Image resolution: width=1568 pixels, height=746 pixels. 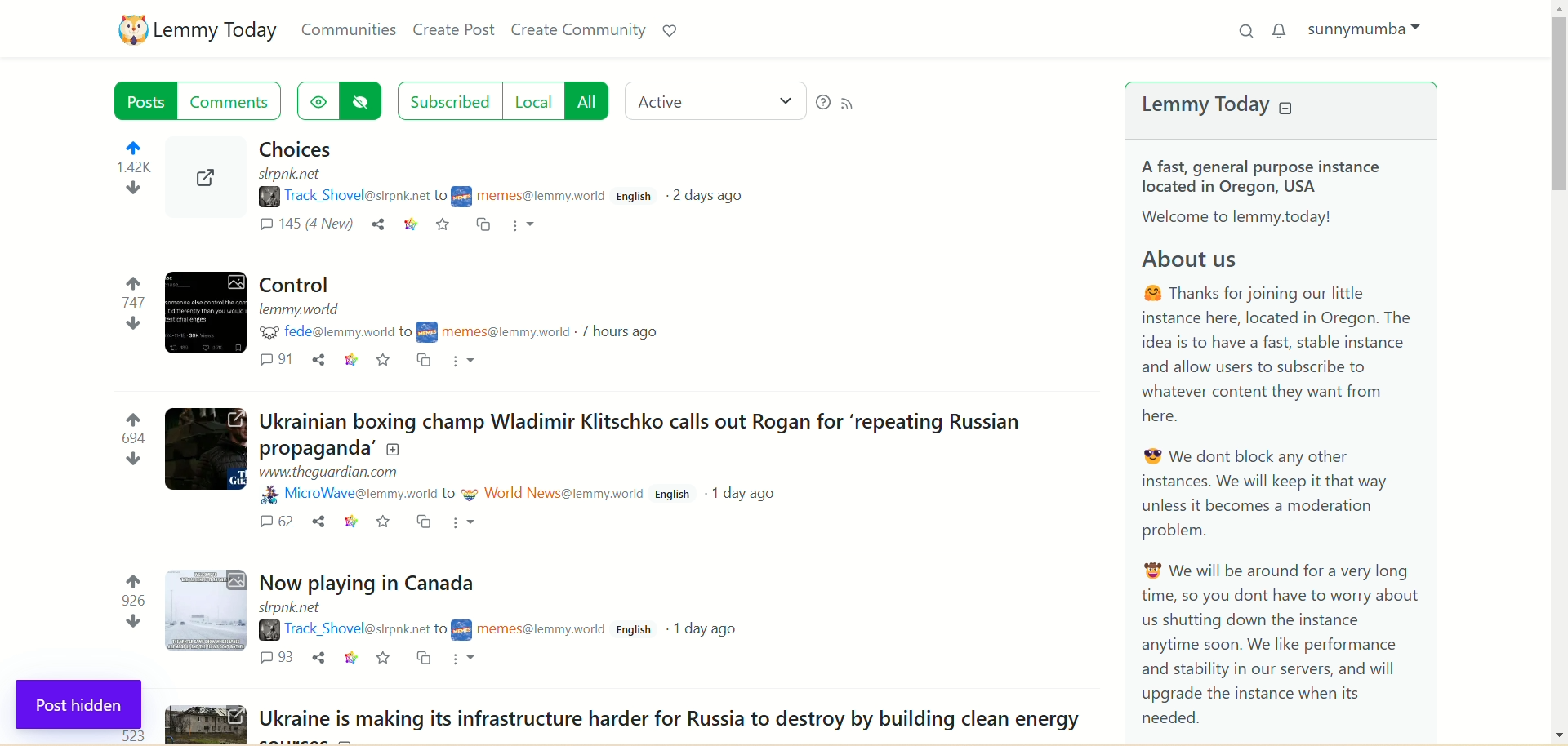 What do you see at coordinates (484, 227) in the screenshot?
I see `cross-post` at bounding box center [484, 227].